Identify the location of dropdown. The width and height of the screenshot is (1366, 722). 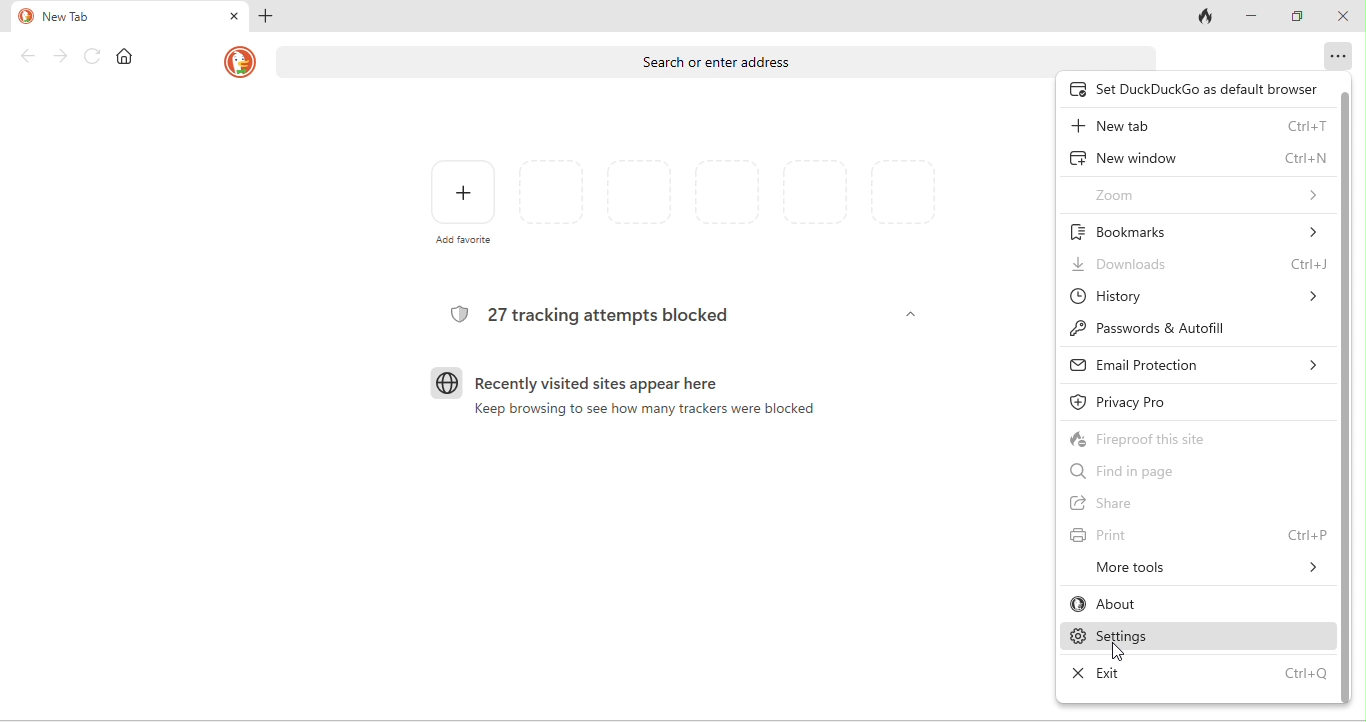
(910, 318).